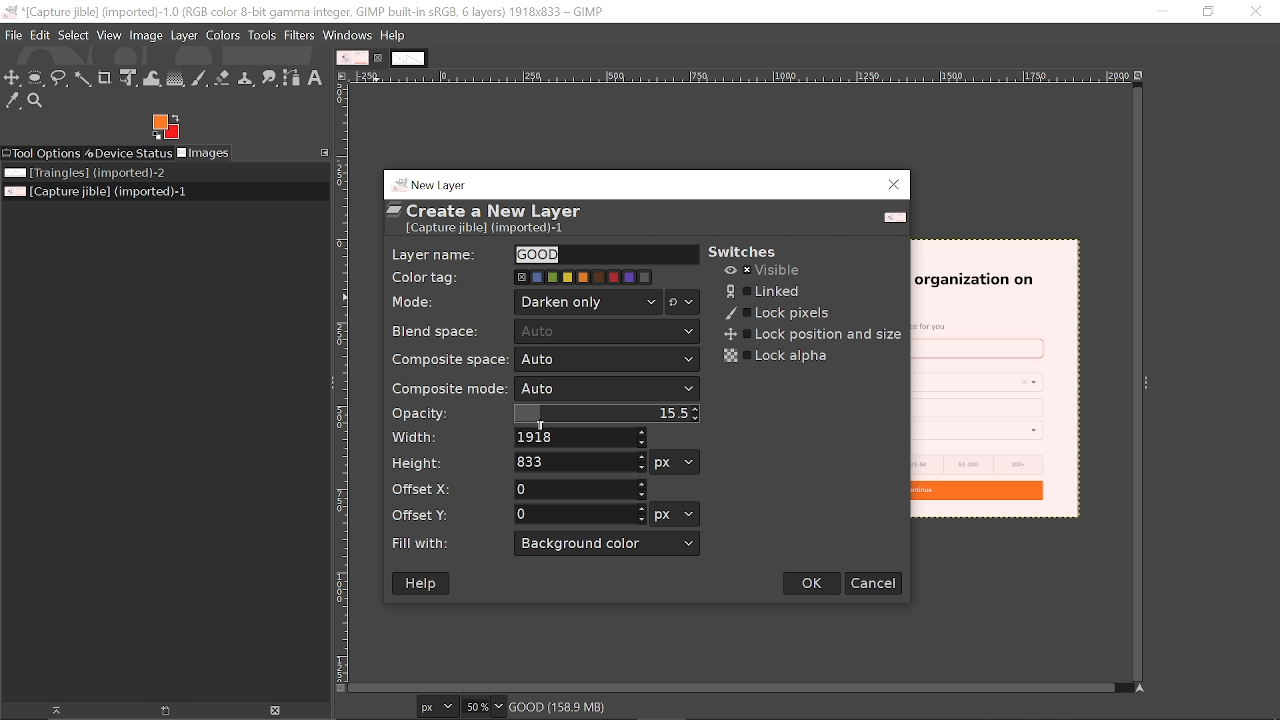 This screenshot has width=1280, height=720. I want to click on Restore down, so click(1209, 12).